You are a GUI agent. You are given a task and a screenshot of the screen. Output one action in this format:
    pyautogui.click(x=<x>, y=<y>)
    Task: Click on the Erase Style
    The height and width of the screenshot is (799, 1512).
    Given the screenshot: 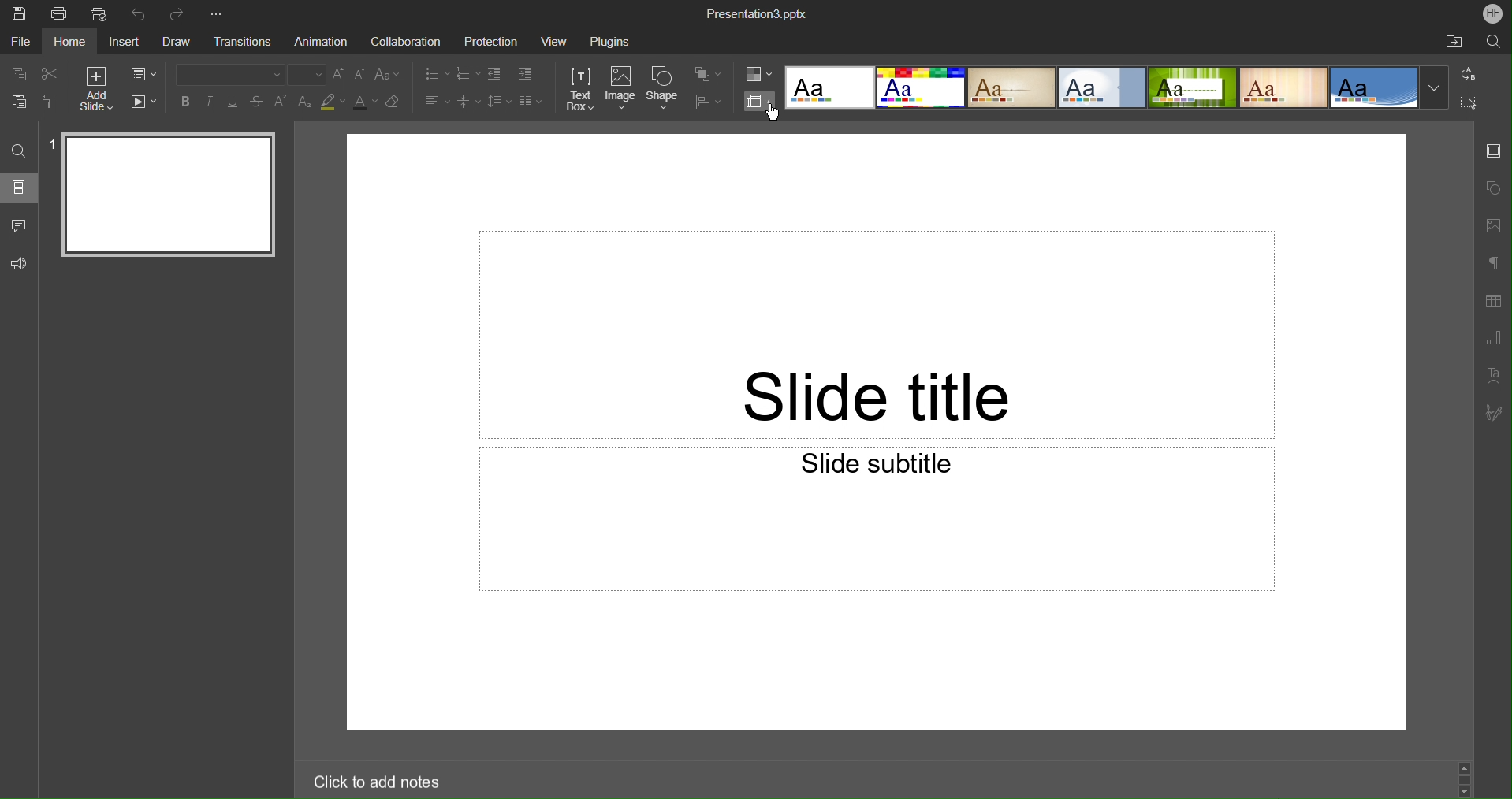 What is the action you would take?
    pyautogui.click(x=395, y=104)
    